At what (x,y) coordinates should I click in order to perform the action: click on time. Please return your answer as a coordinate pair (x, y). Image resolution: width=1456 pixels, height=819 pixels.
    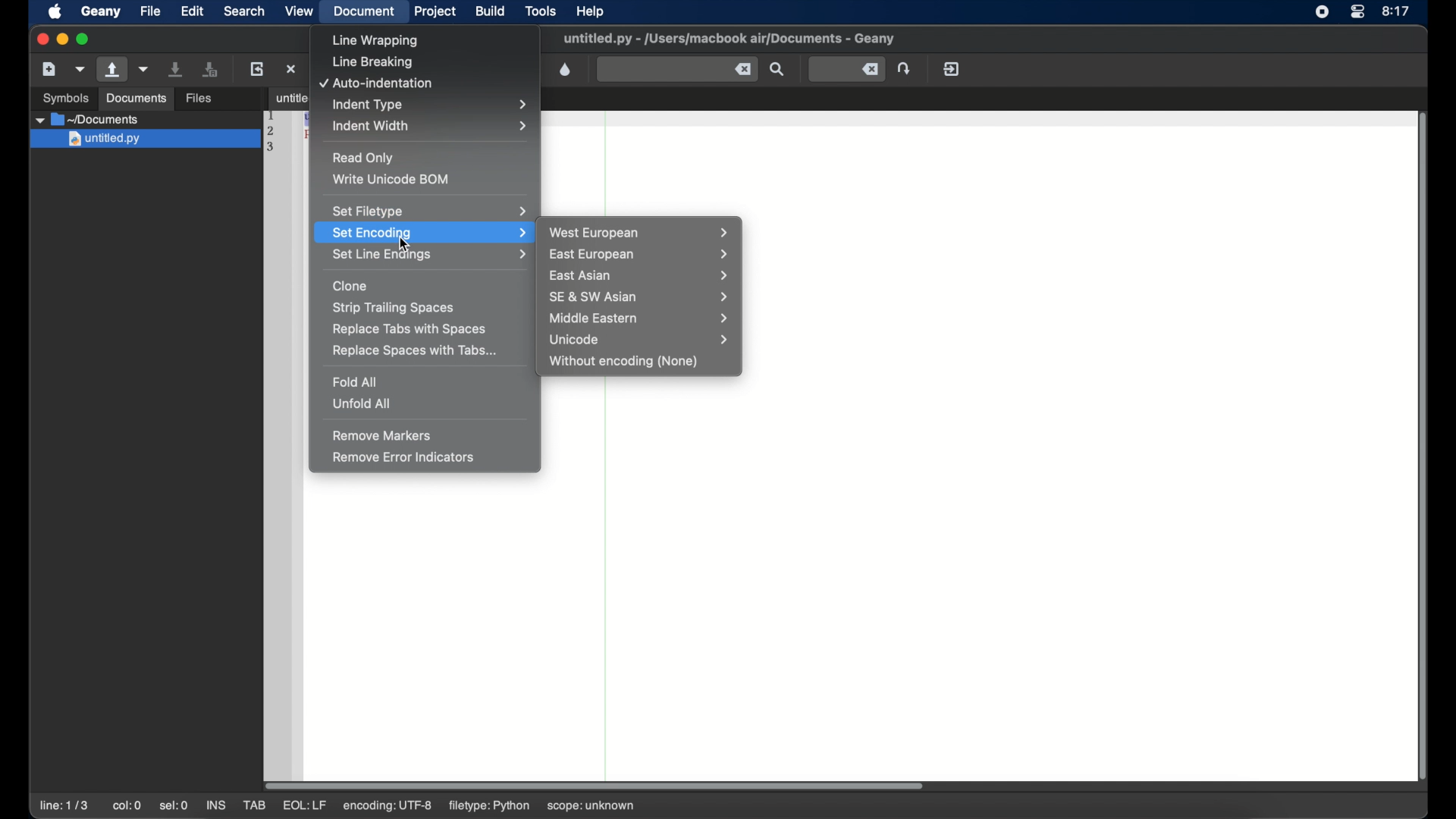
    Looking at the image, I should click on (1397, 11).